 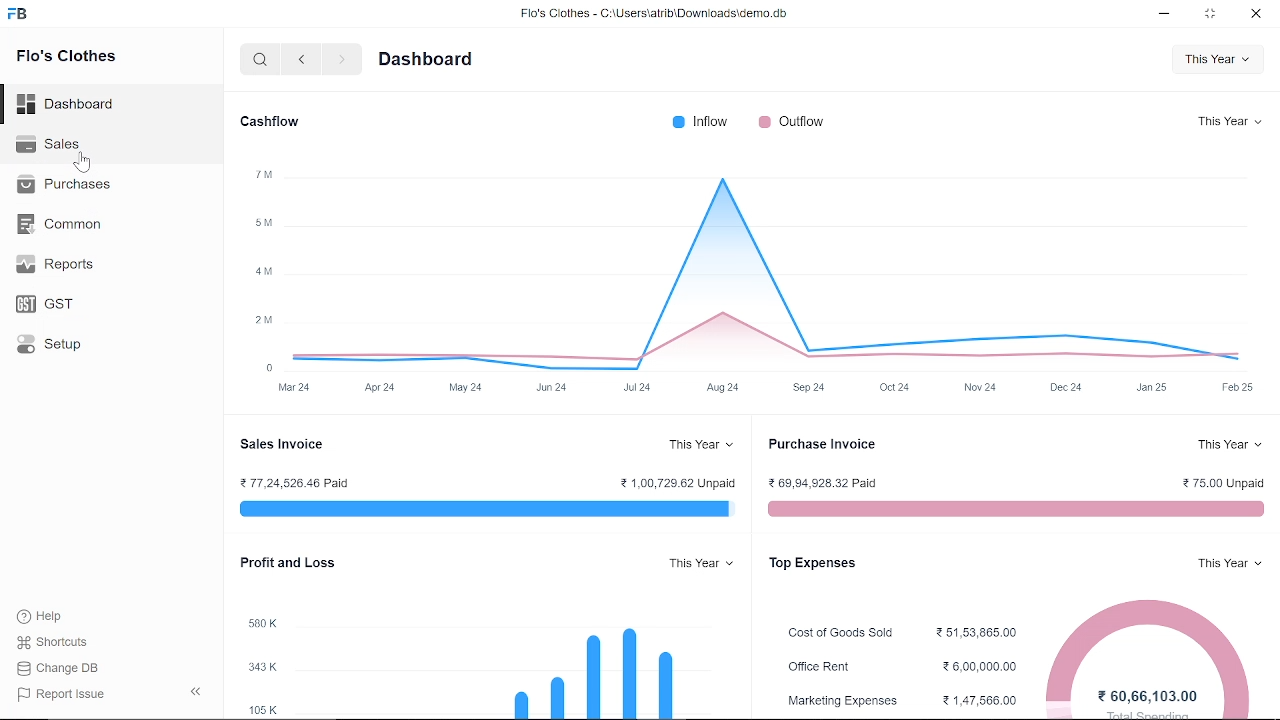 I want to click on Change DB, so click(x=64, y=668).